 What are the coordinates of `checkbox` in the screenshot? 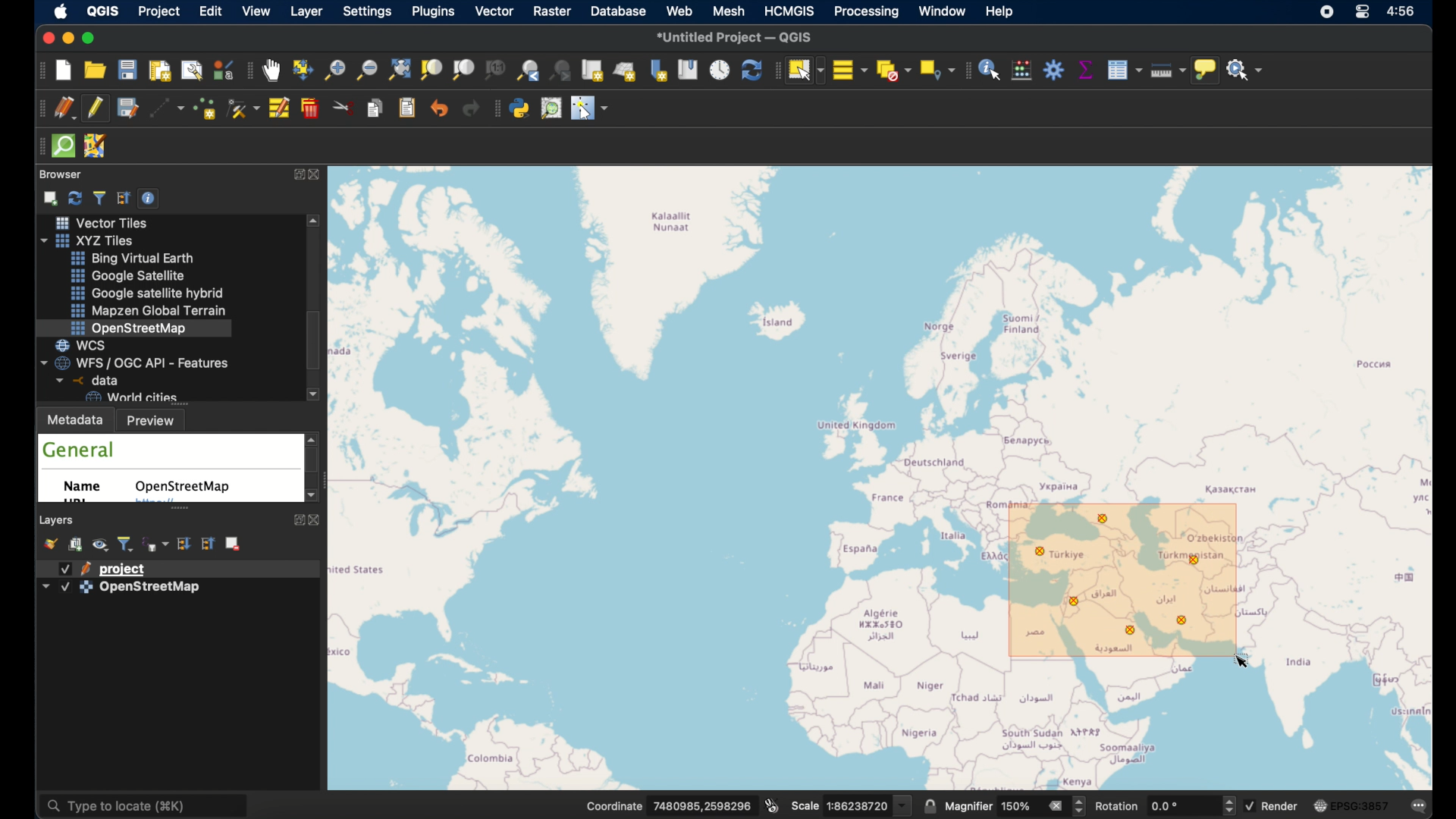 It's located at (65, 588).